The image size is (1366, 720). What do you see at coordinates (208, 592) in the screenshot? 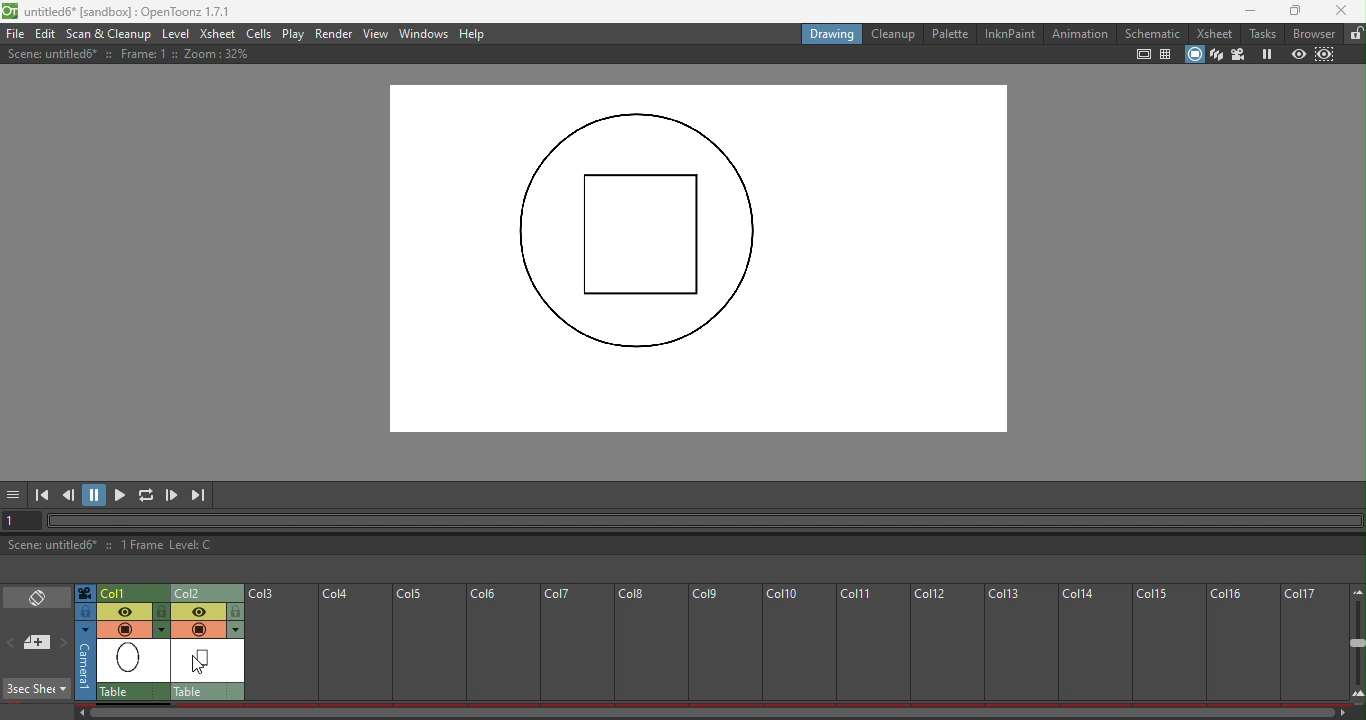
I see `column 2` at bounding box center [208, 592].